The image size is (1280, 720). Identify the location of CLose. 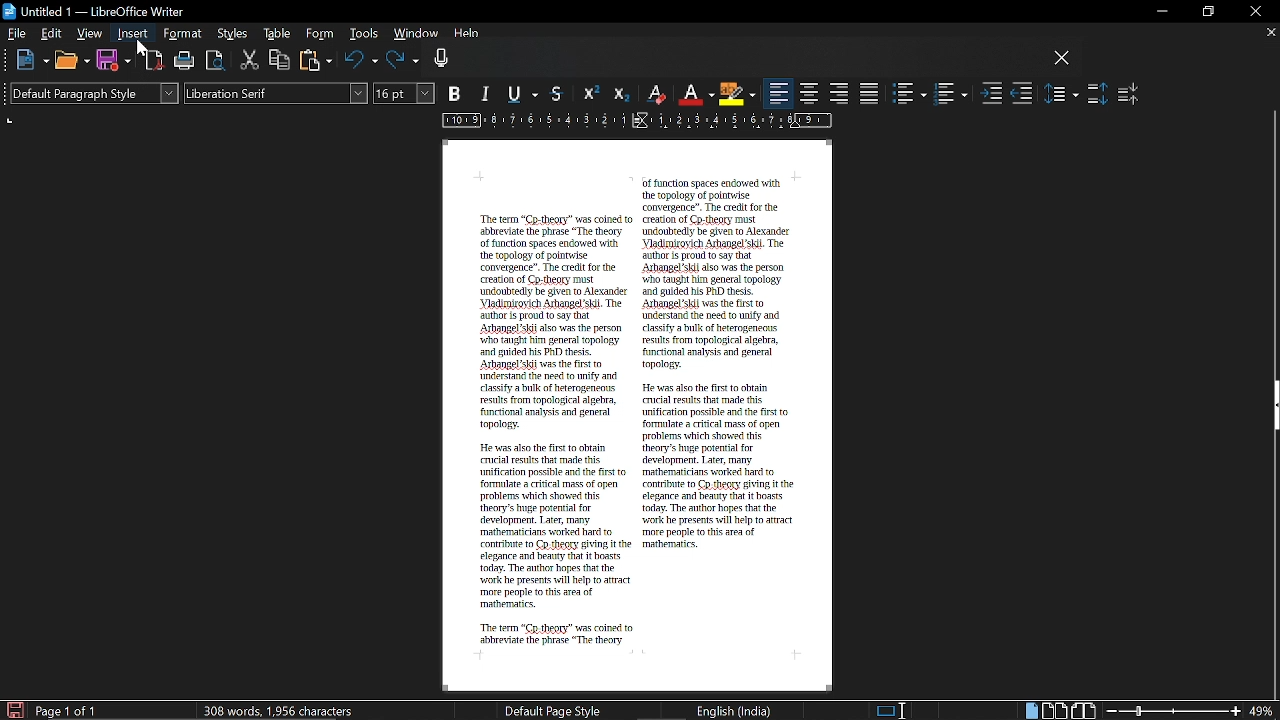
(1062, 59).